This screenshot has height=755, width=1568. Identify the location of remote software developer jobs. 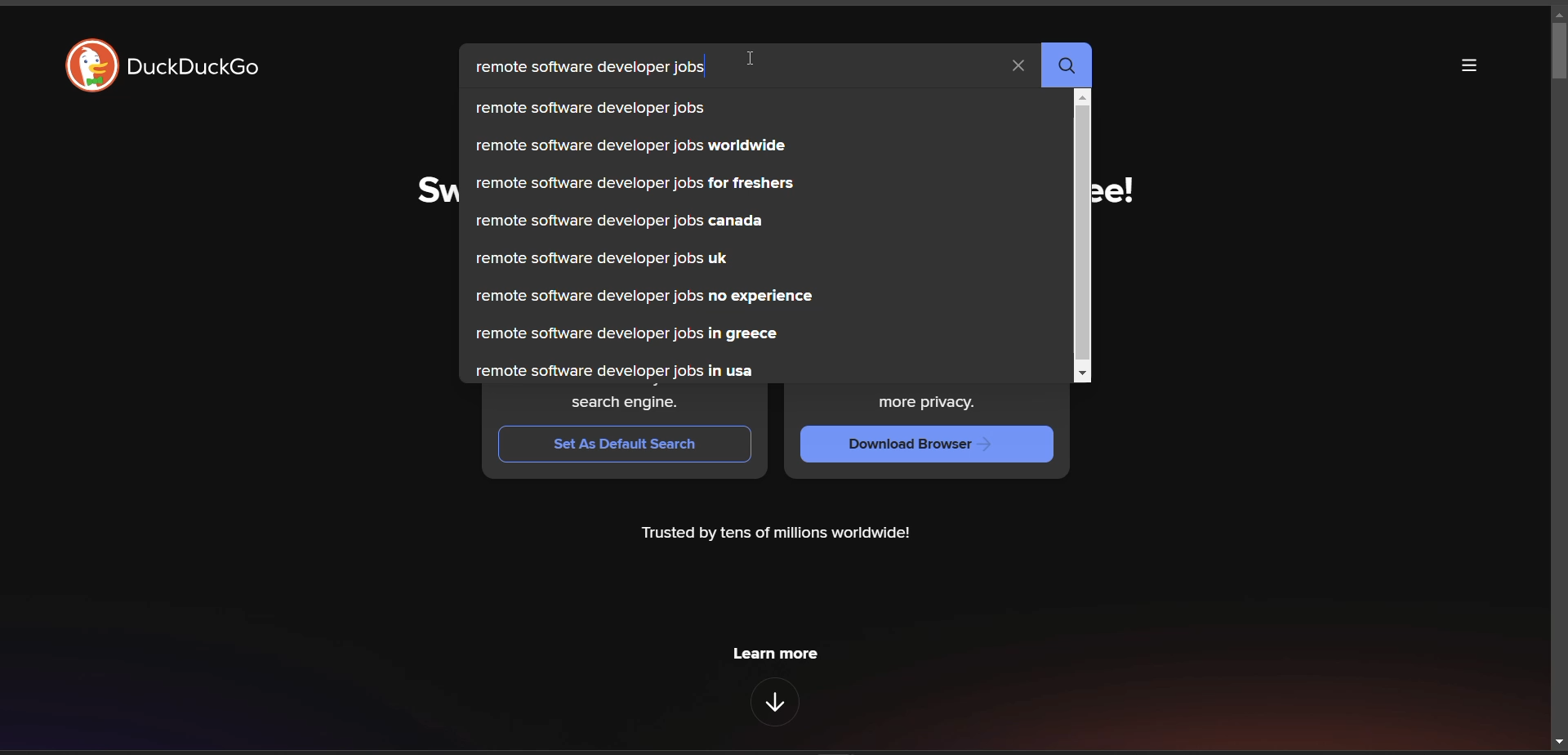
(590, 71).